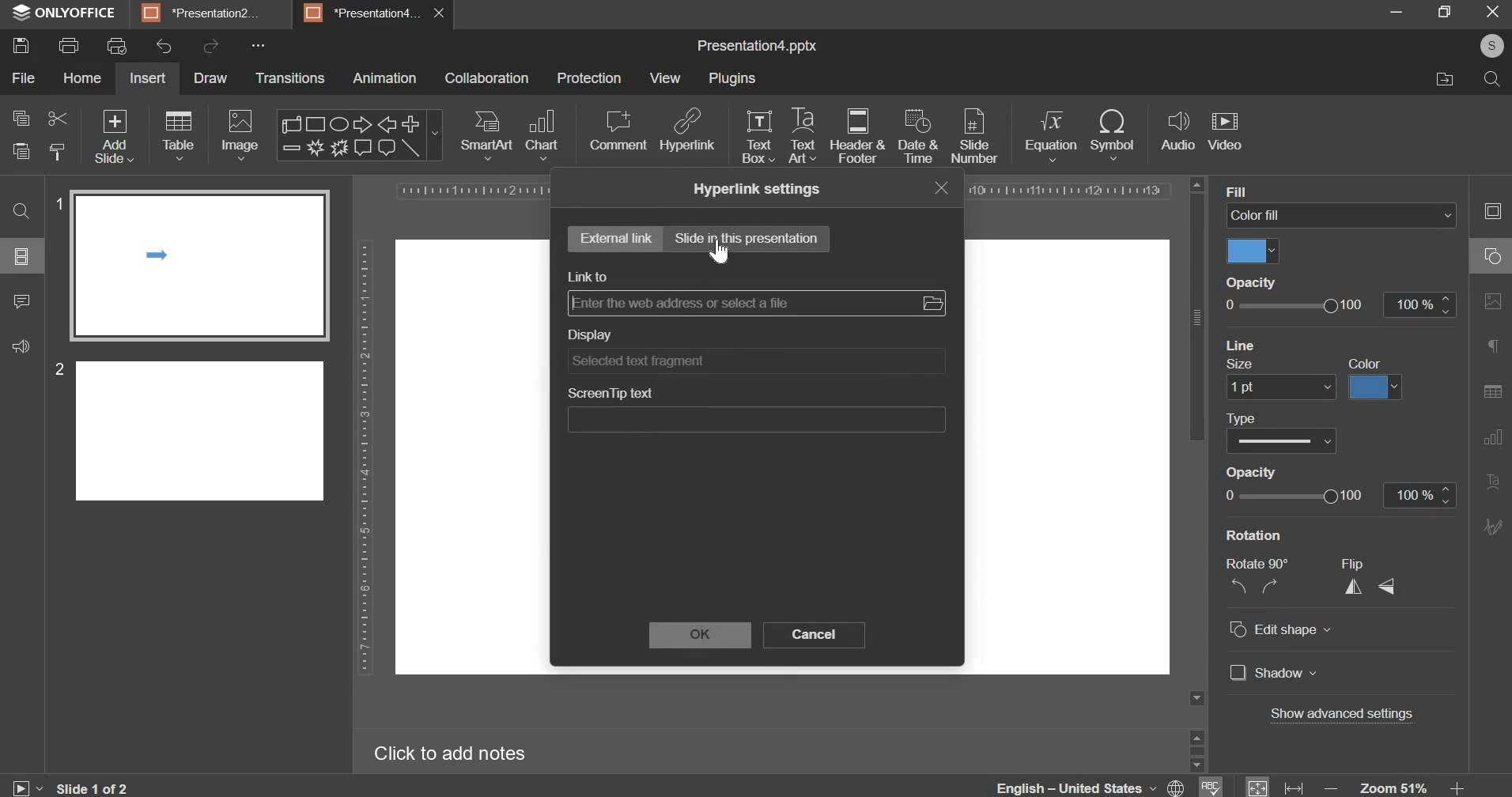 This screenshot has width=1512, height=797. Describe the element at coordinates (1370, 582) in the screenshot. I see `Flip
A <` at that location.